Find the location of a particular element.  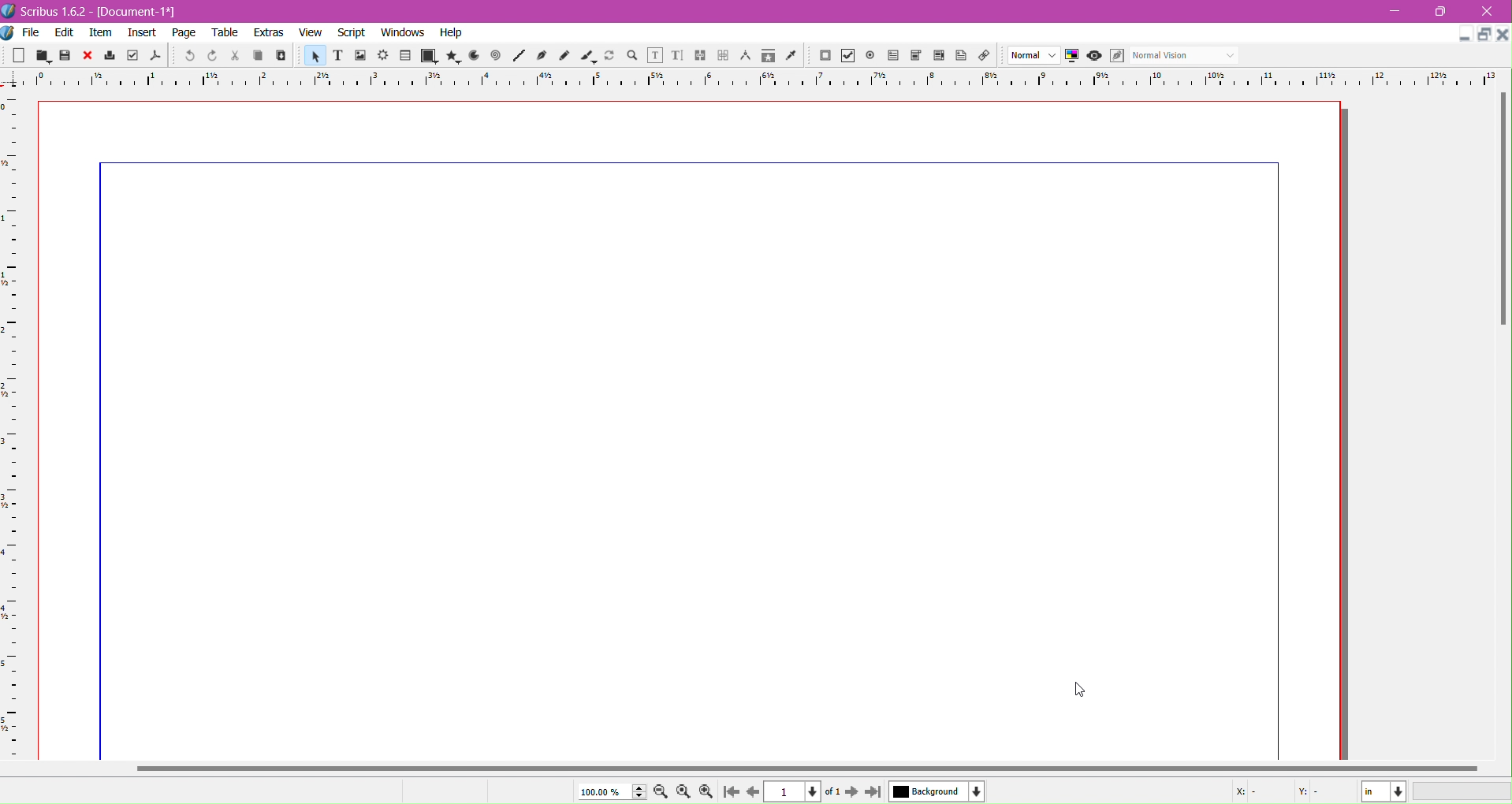

close is located at coordinates (88, 56).